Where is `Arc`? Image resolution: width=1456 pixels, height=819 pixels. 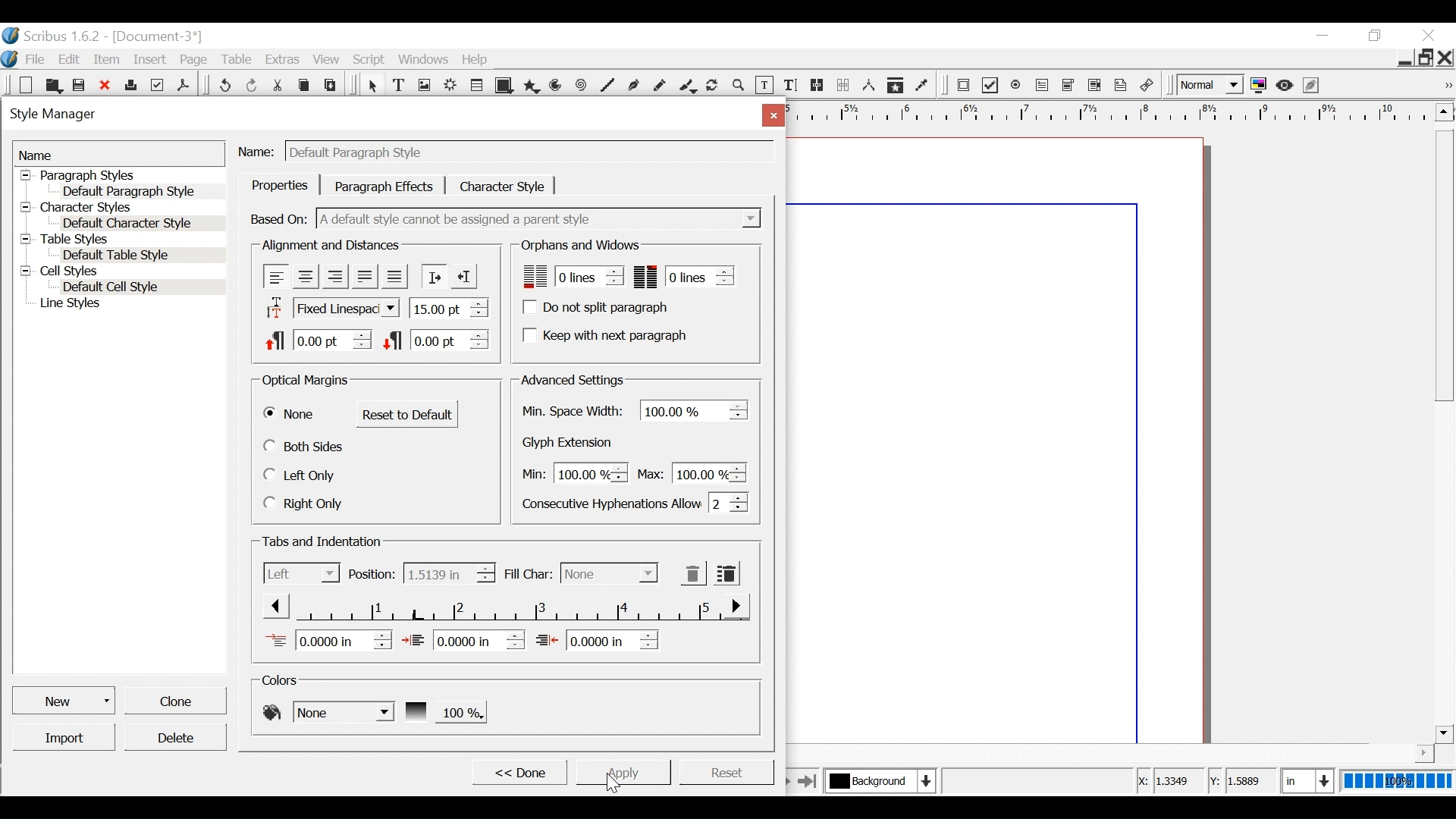
Arc is located at coordinates (557, 86).